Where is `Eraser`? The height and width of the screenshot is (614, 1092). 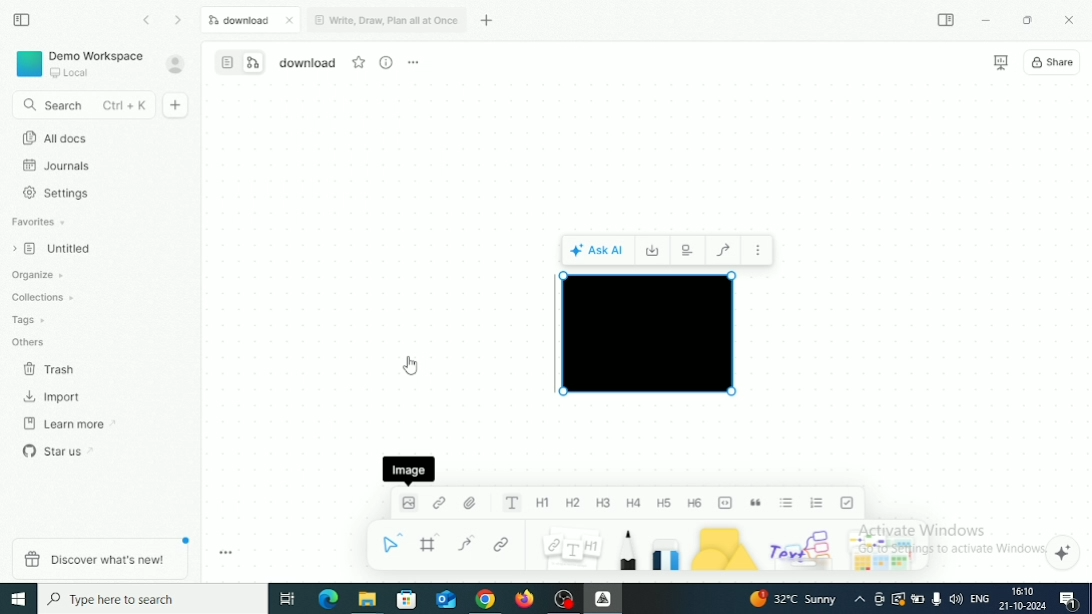 Eraser is located at coordinates (667, 548).